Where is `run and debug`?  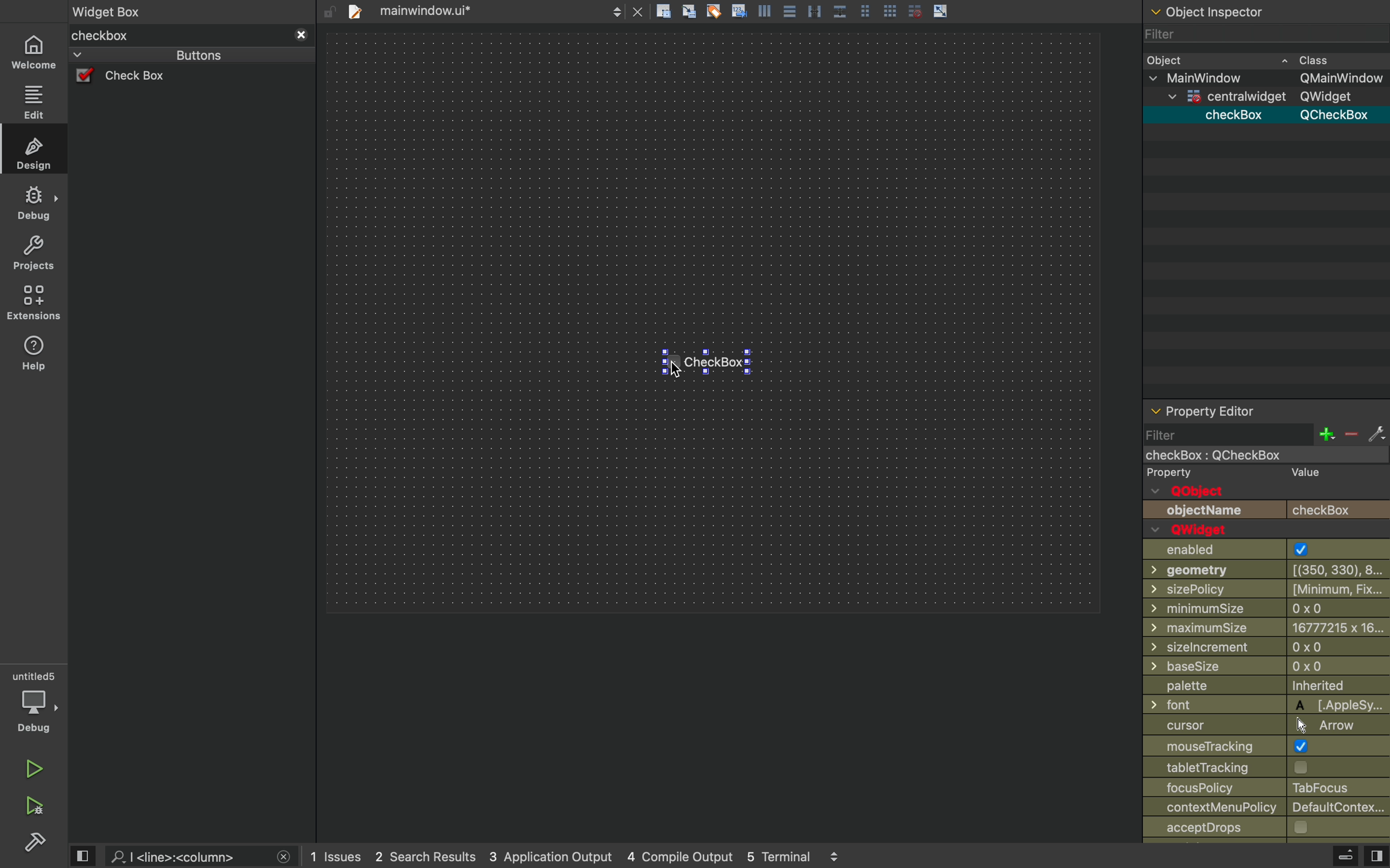
run and debug is located at coordinates (32, 808).